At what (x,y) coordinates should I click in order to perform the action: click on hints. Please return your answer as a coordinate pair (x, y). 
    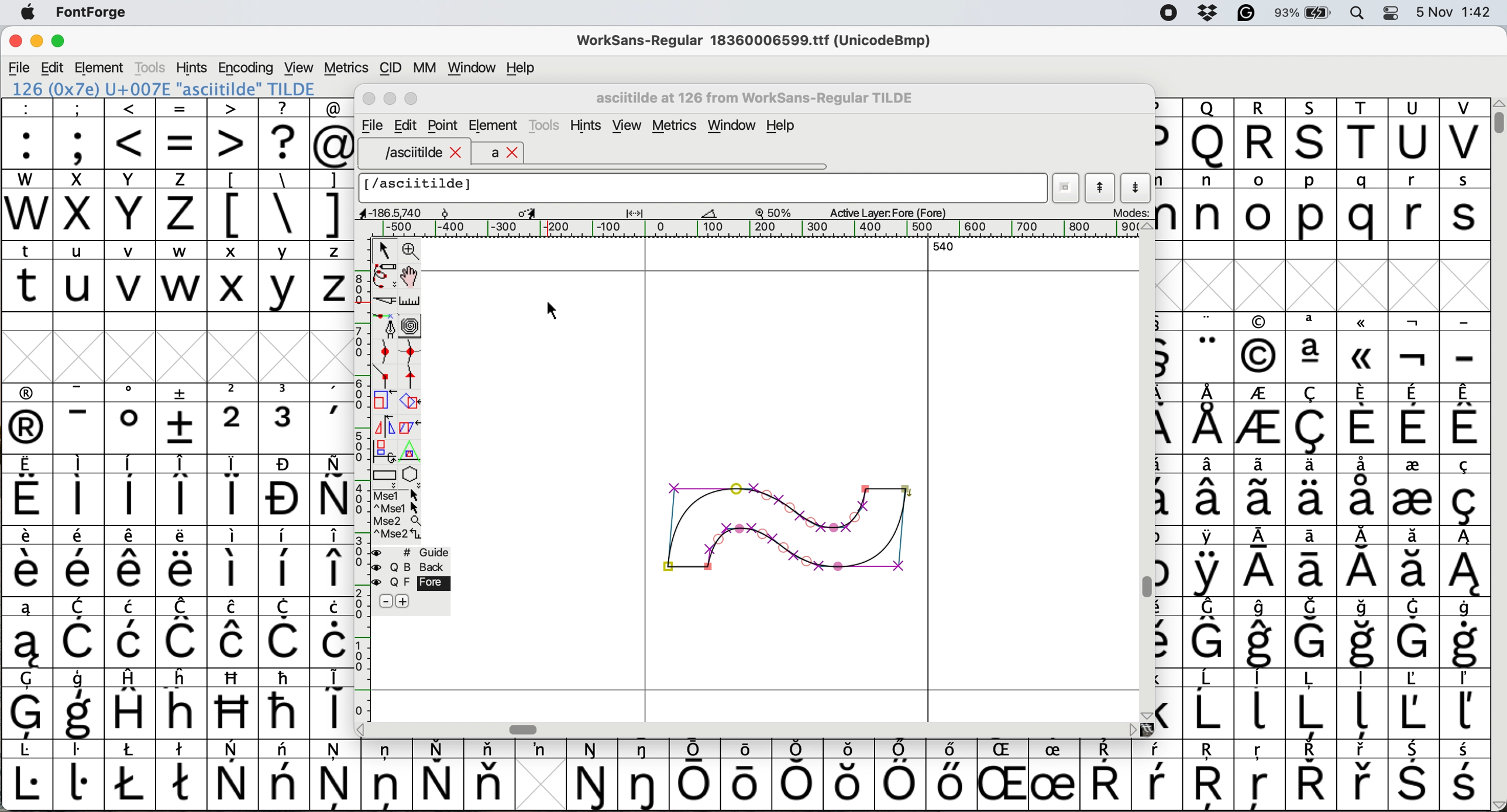
    Looking at the image, I should click on (588, 126).